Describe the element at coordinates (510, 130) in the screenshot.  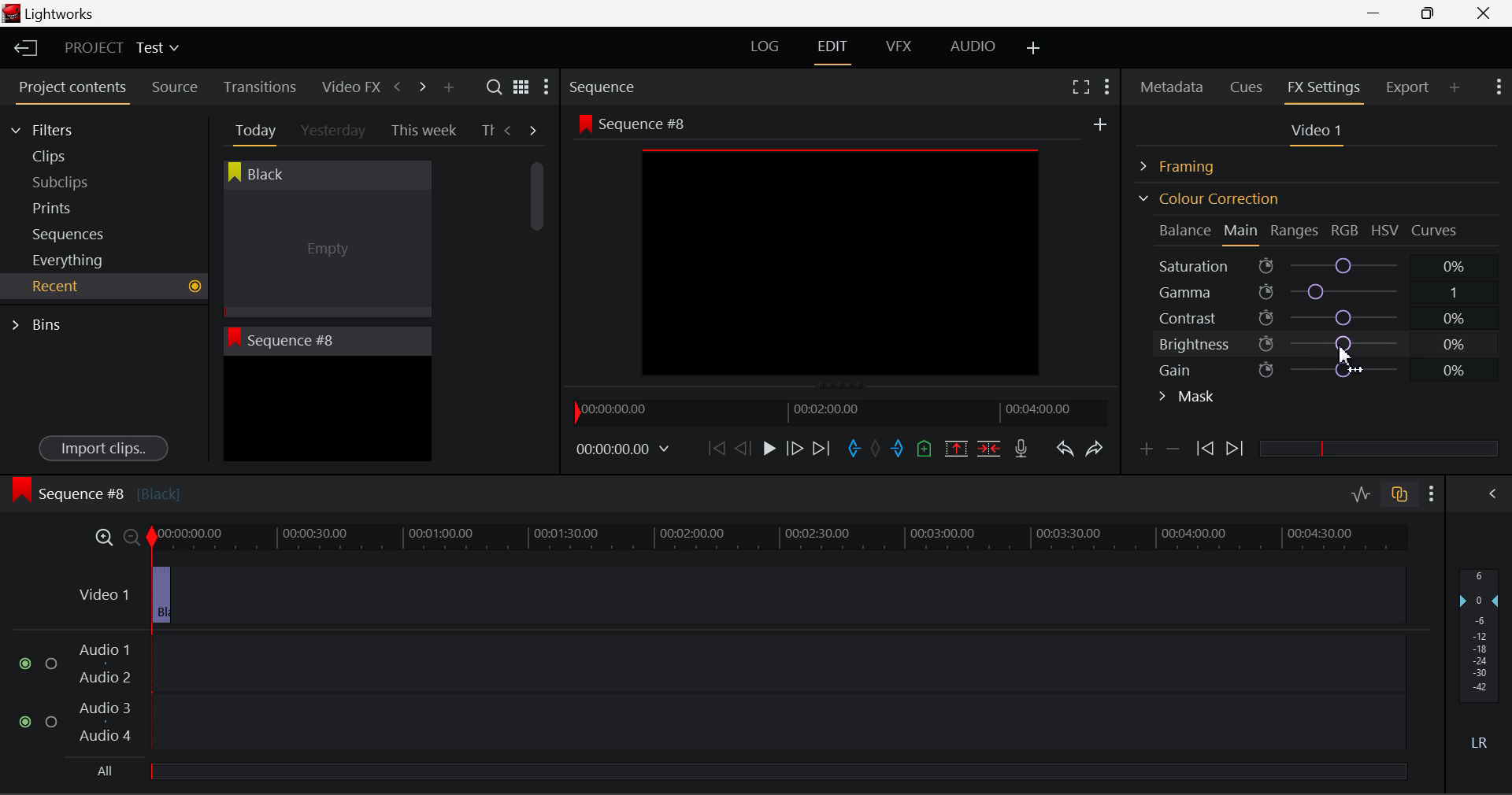
I see `Previous Tab` at that location.